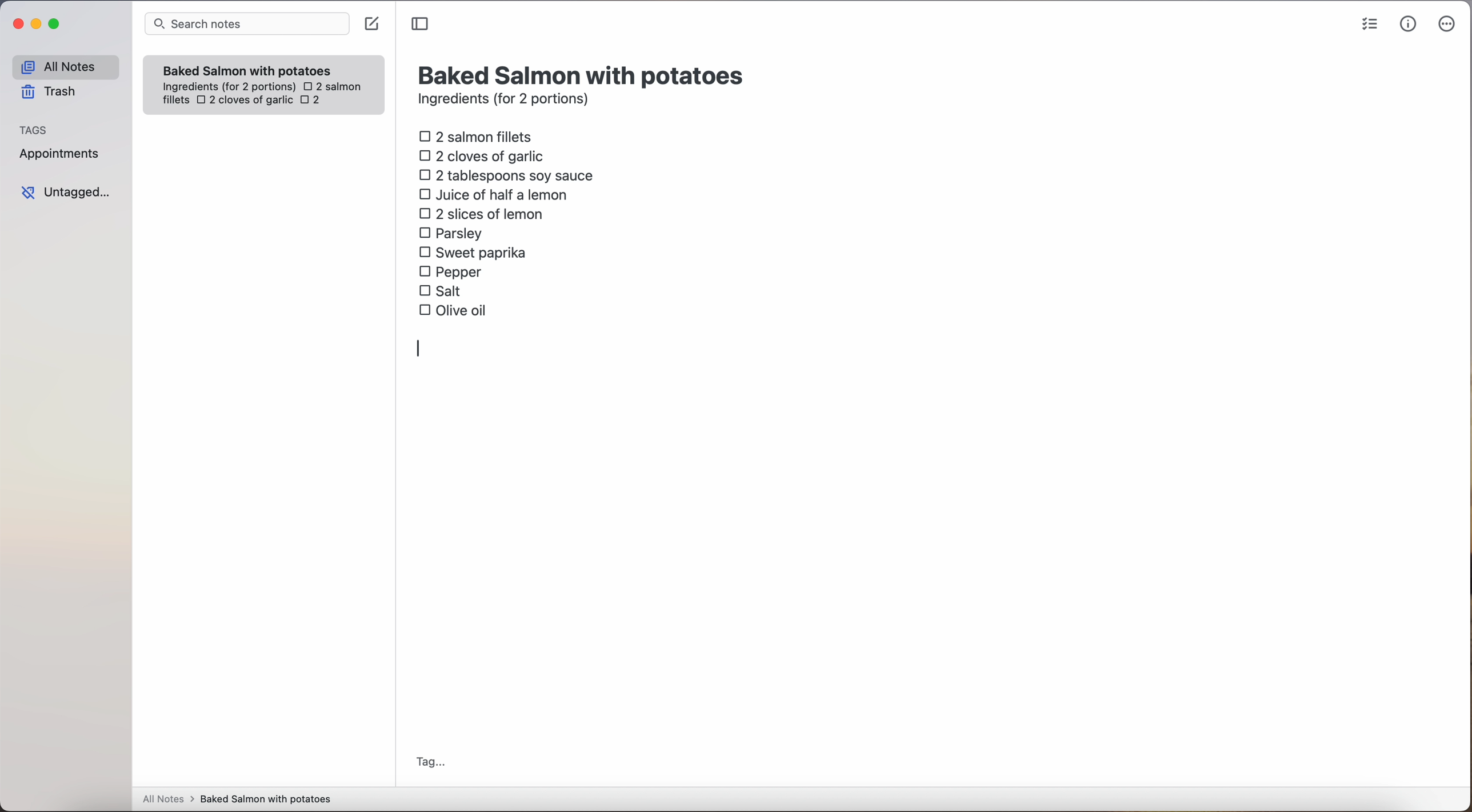 The height and width of the screenshot is (812, 1472). Describe the element at coordinates (507, 101) in the screenshot. I see `ingredients (for 2 portions)` at that location.